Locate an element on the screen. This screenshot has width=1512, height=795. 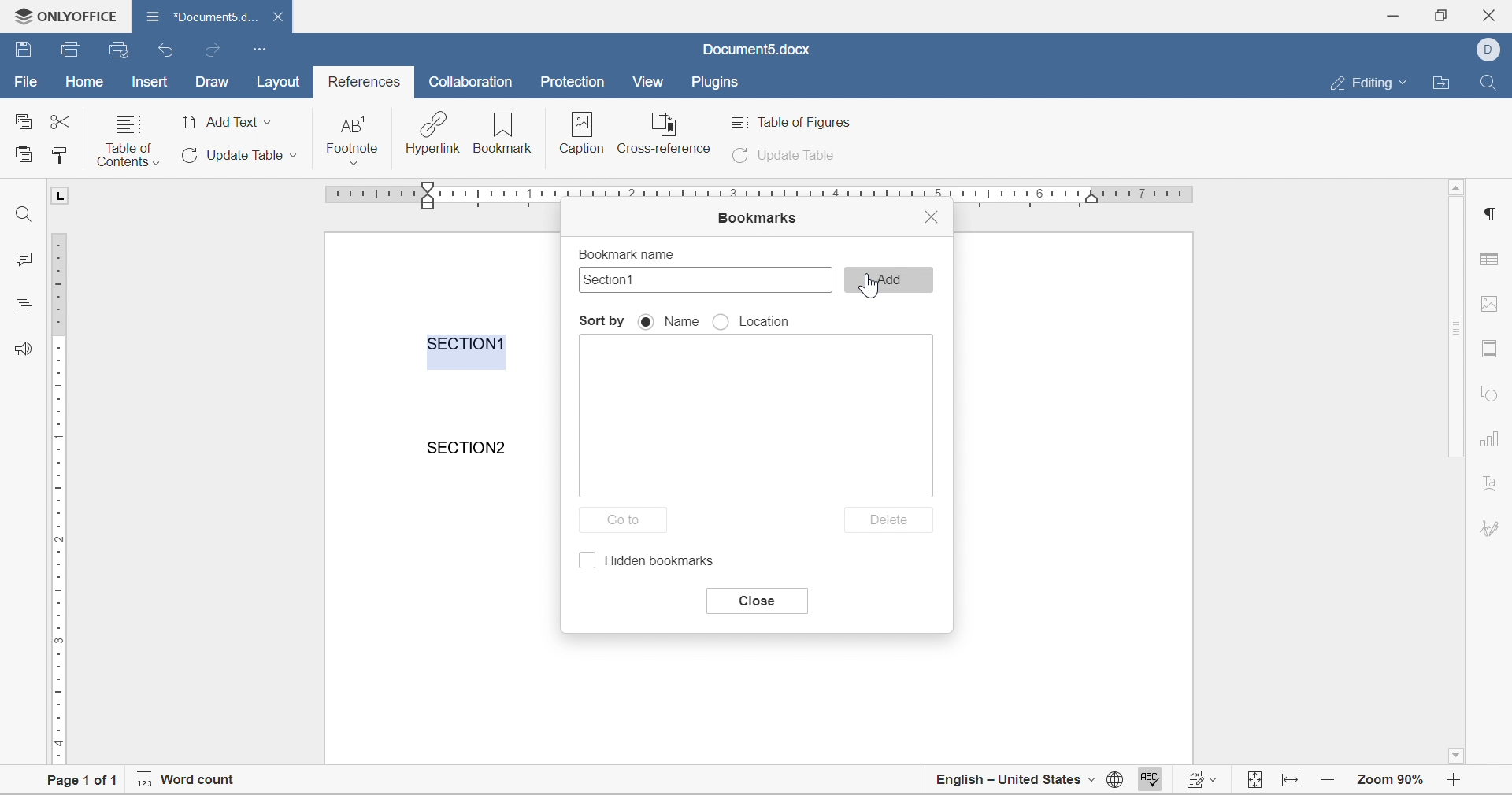
feedback and support is located at coordinates (24, 347).